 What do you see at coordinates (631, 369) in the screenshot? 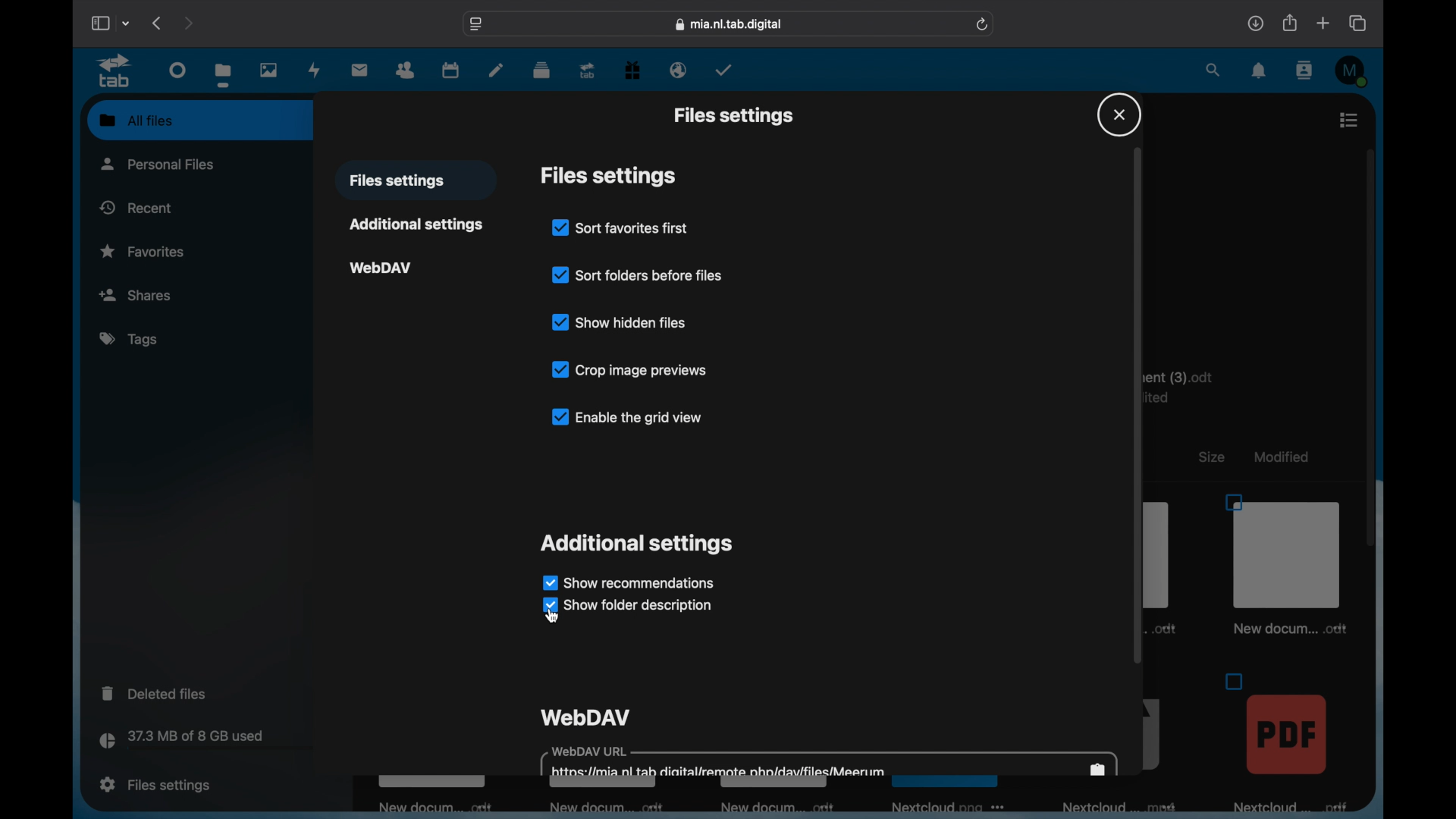
I see `crop image previews` at bounding box center [631, 369].